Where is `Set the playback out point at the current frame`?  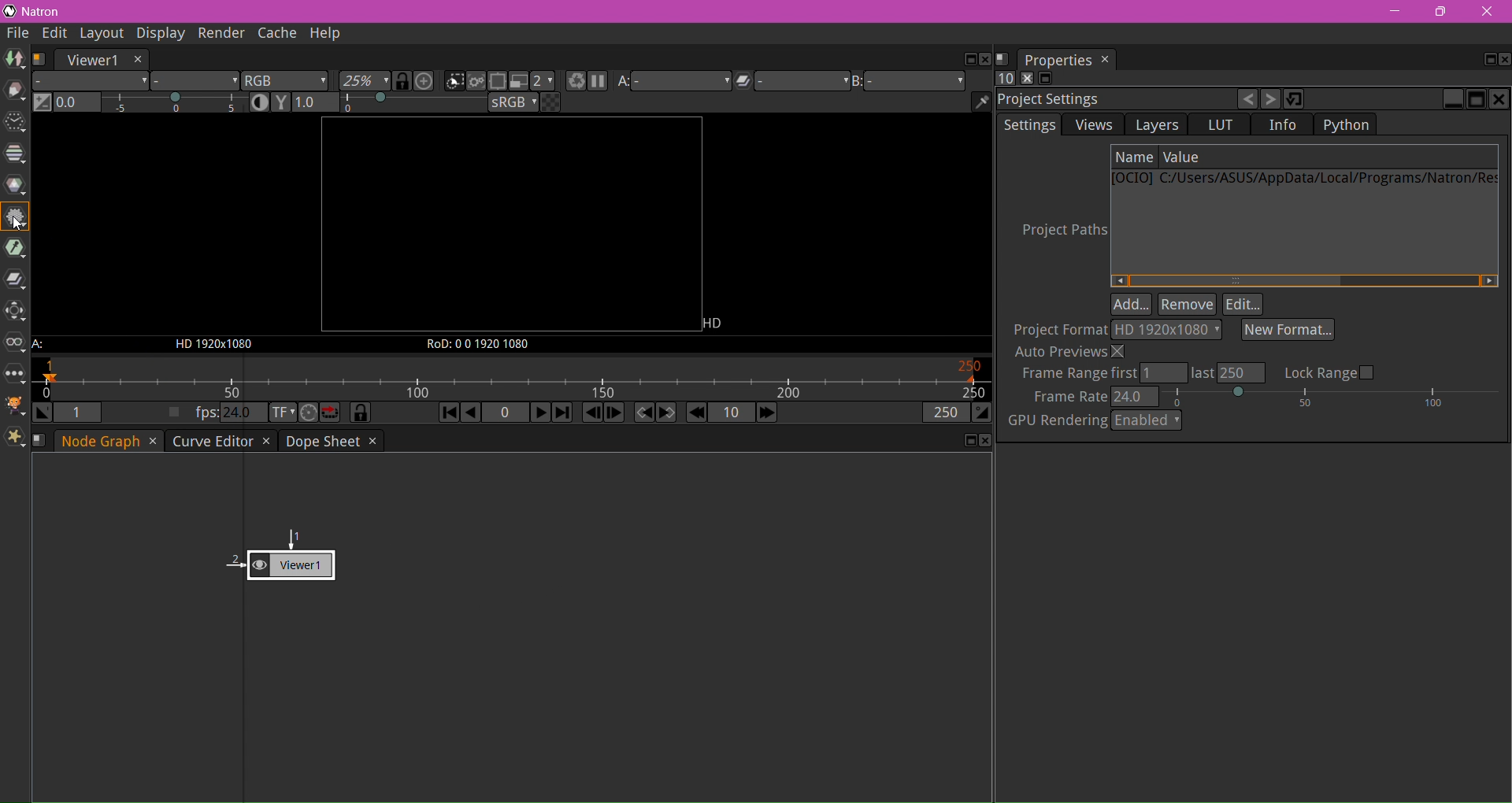 Set the playback out point at the current frame is located at coordinates (982, 414).